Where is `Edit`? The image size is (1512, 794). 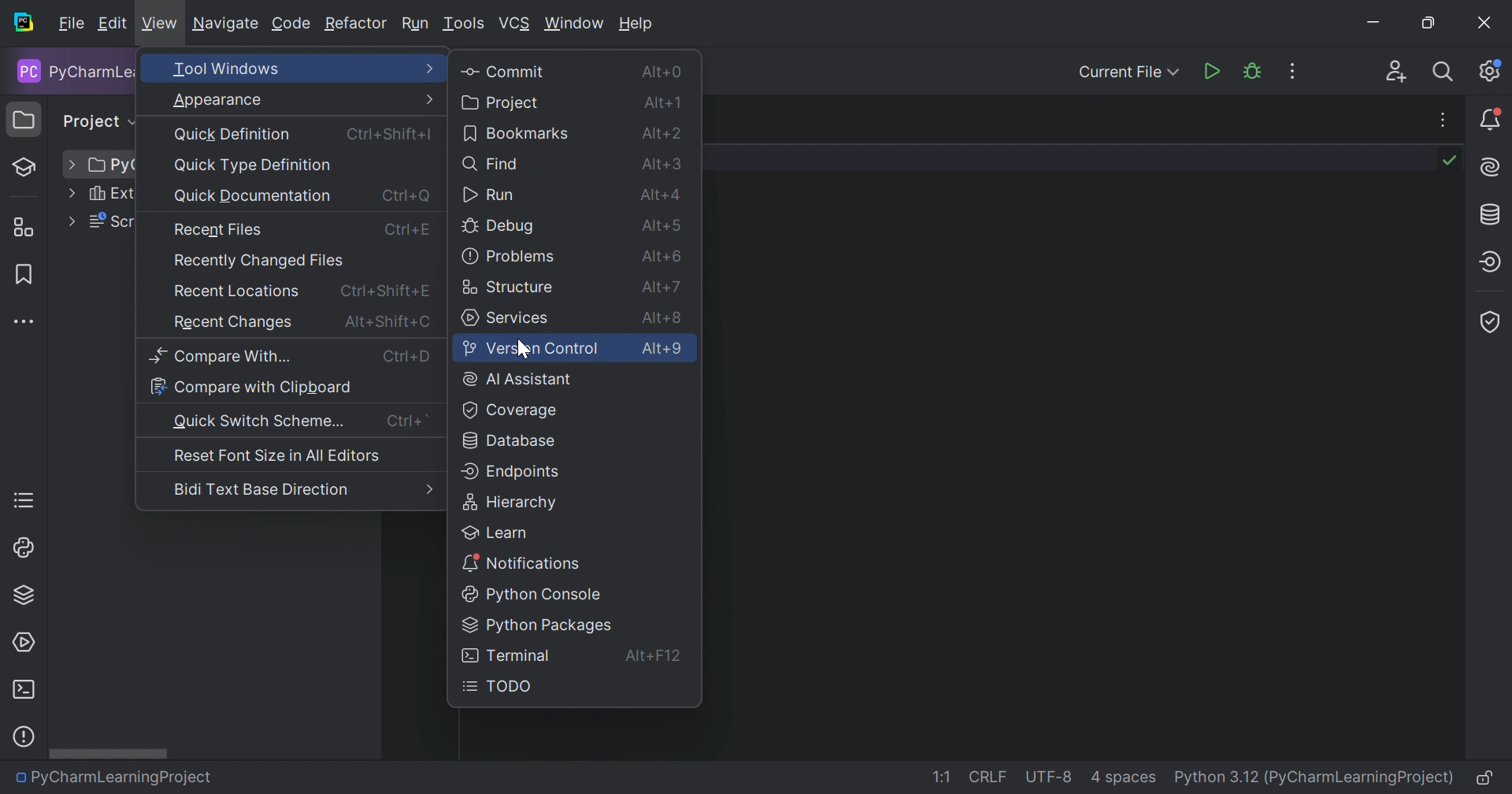
Edit is located at coordinates (113, 24).